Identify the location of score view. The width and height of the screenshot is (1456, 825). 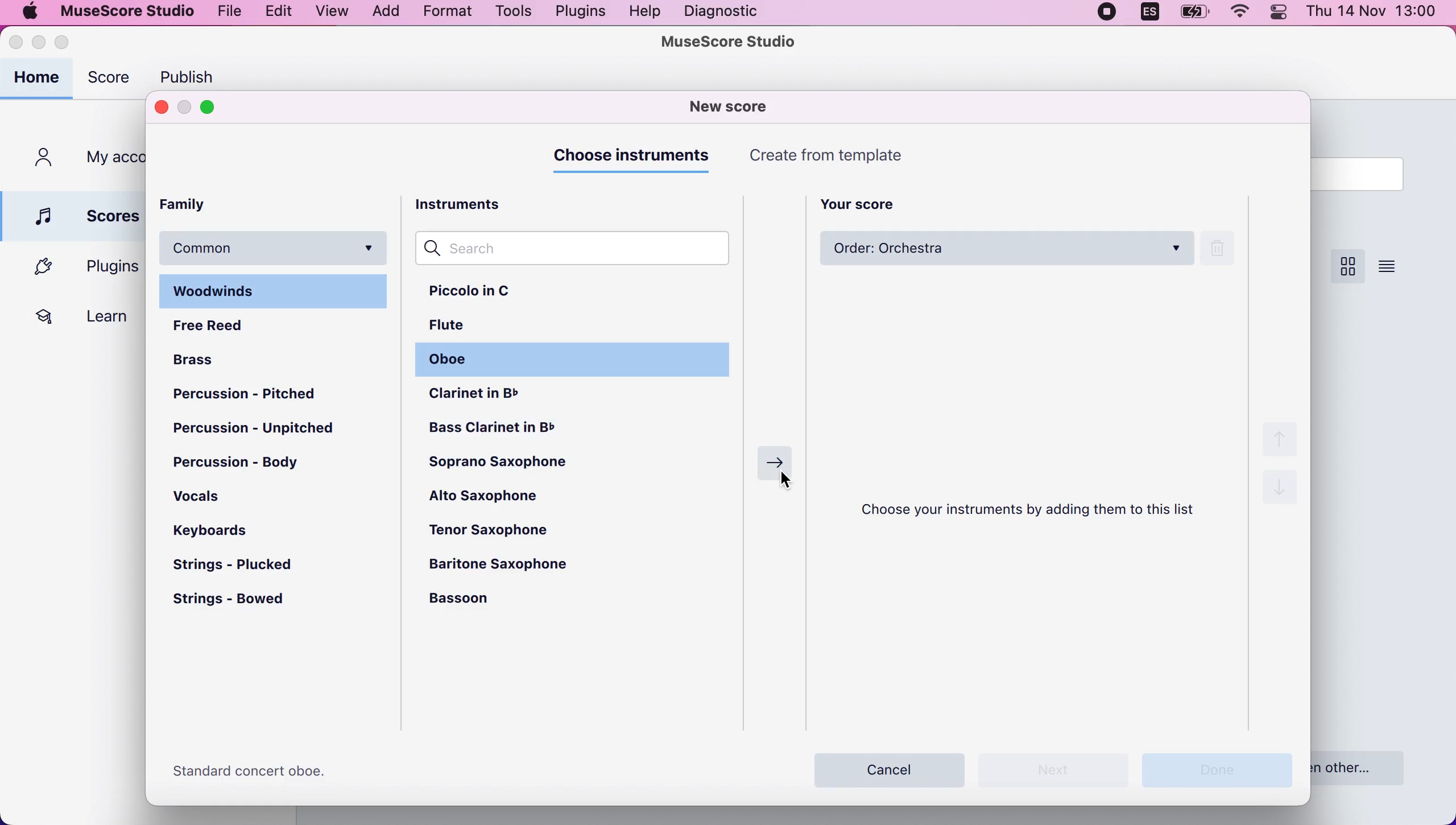
(1346, 267).